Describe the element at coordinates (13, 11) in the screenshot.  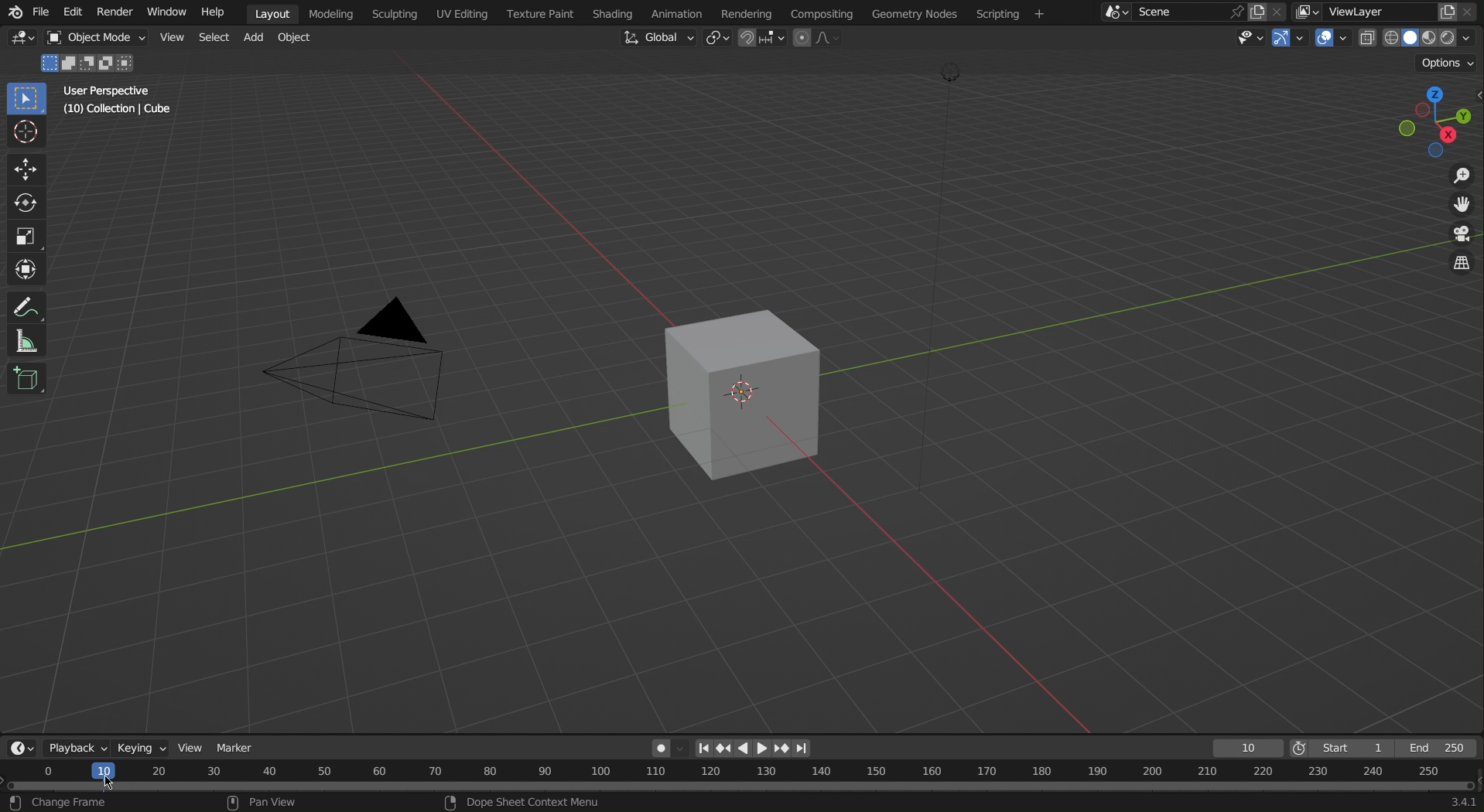
I see `Blend logo` at that location.